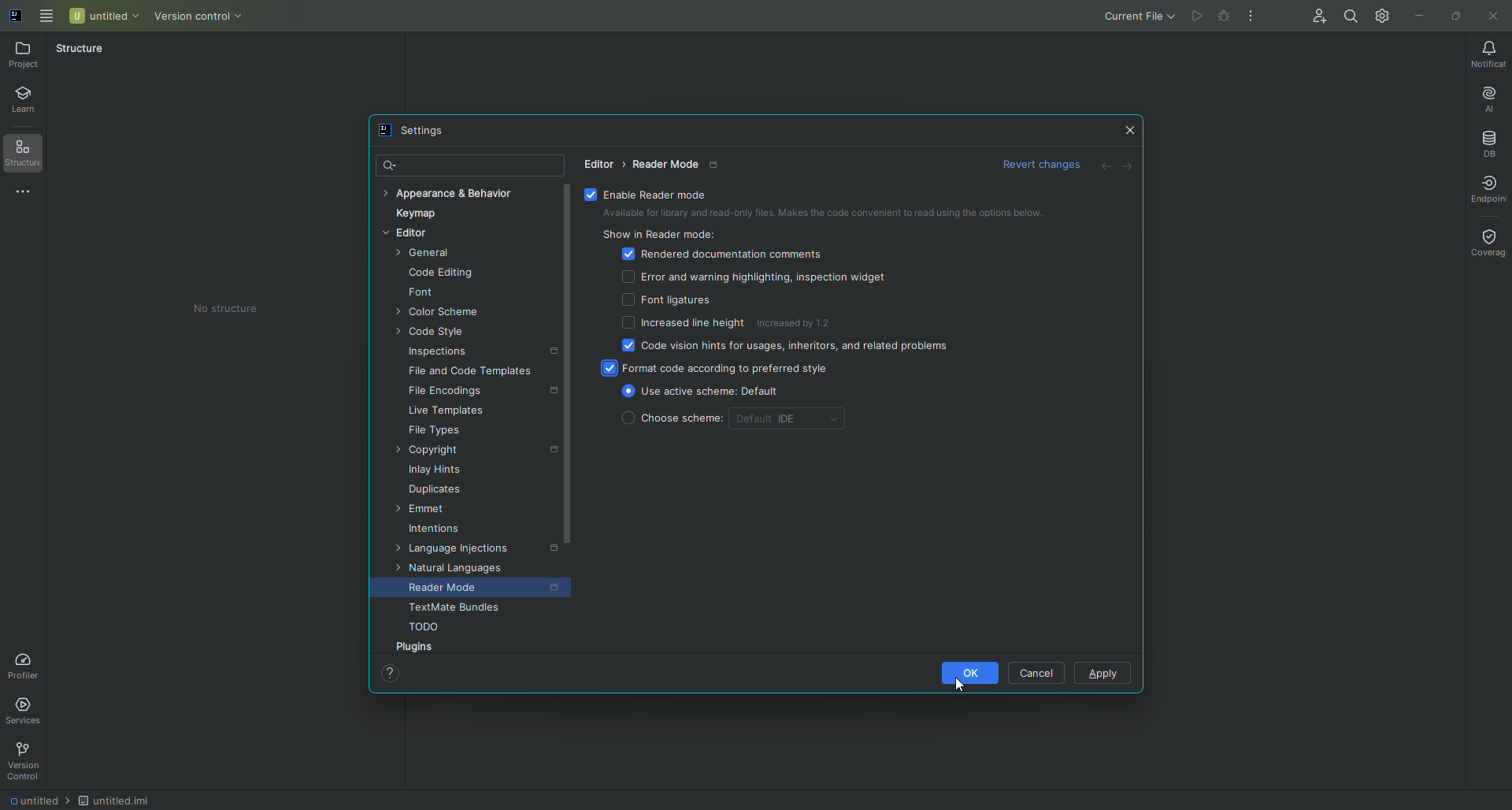  Describe the element at coordinates (102, 17) in the screenshot. I see `Untitled` at that location.